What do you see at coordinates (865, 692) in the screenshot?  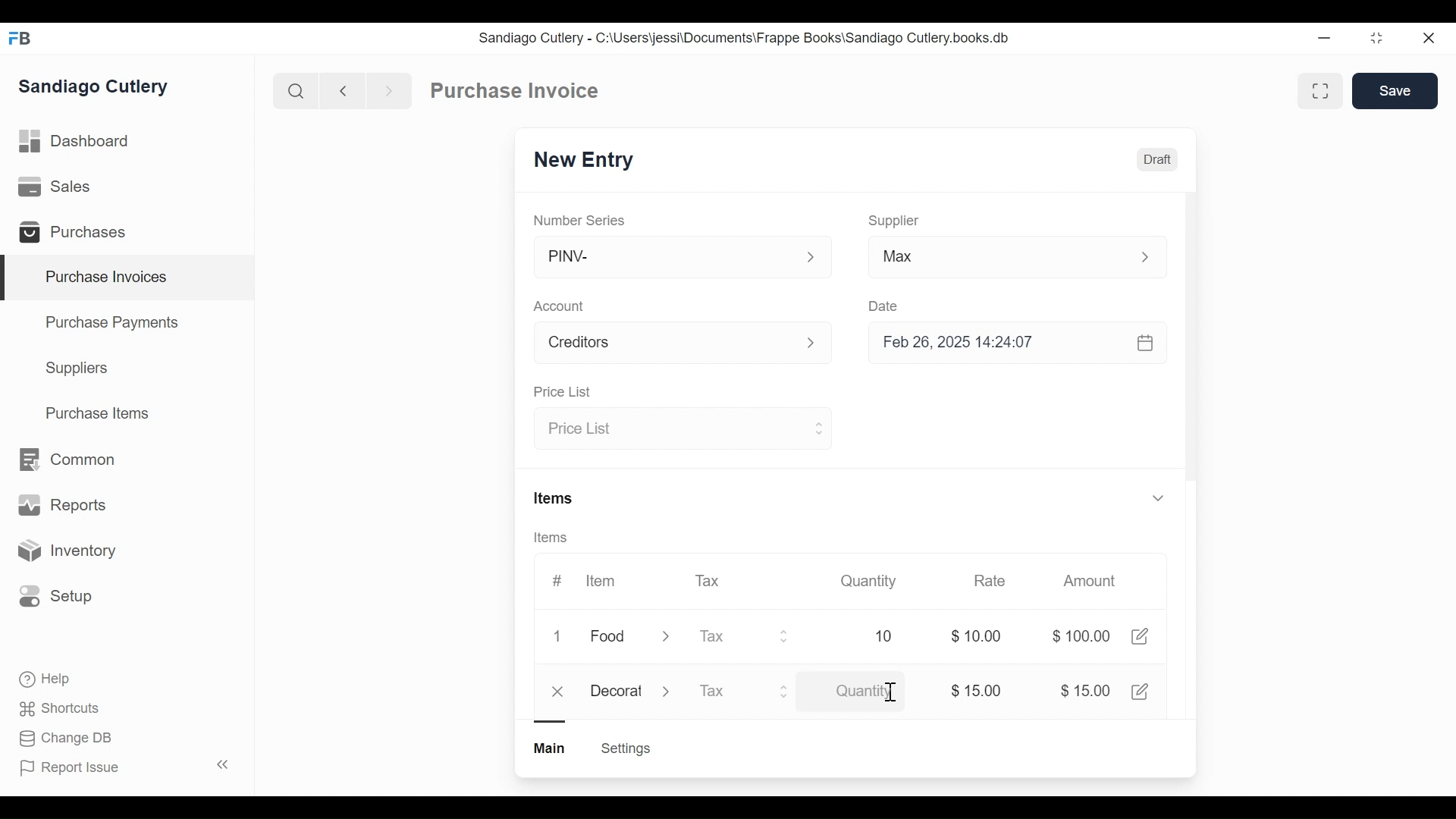 I see `Quantity` at bounding box center [865, 692].